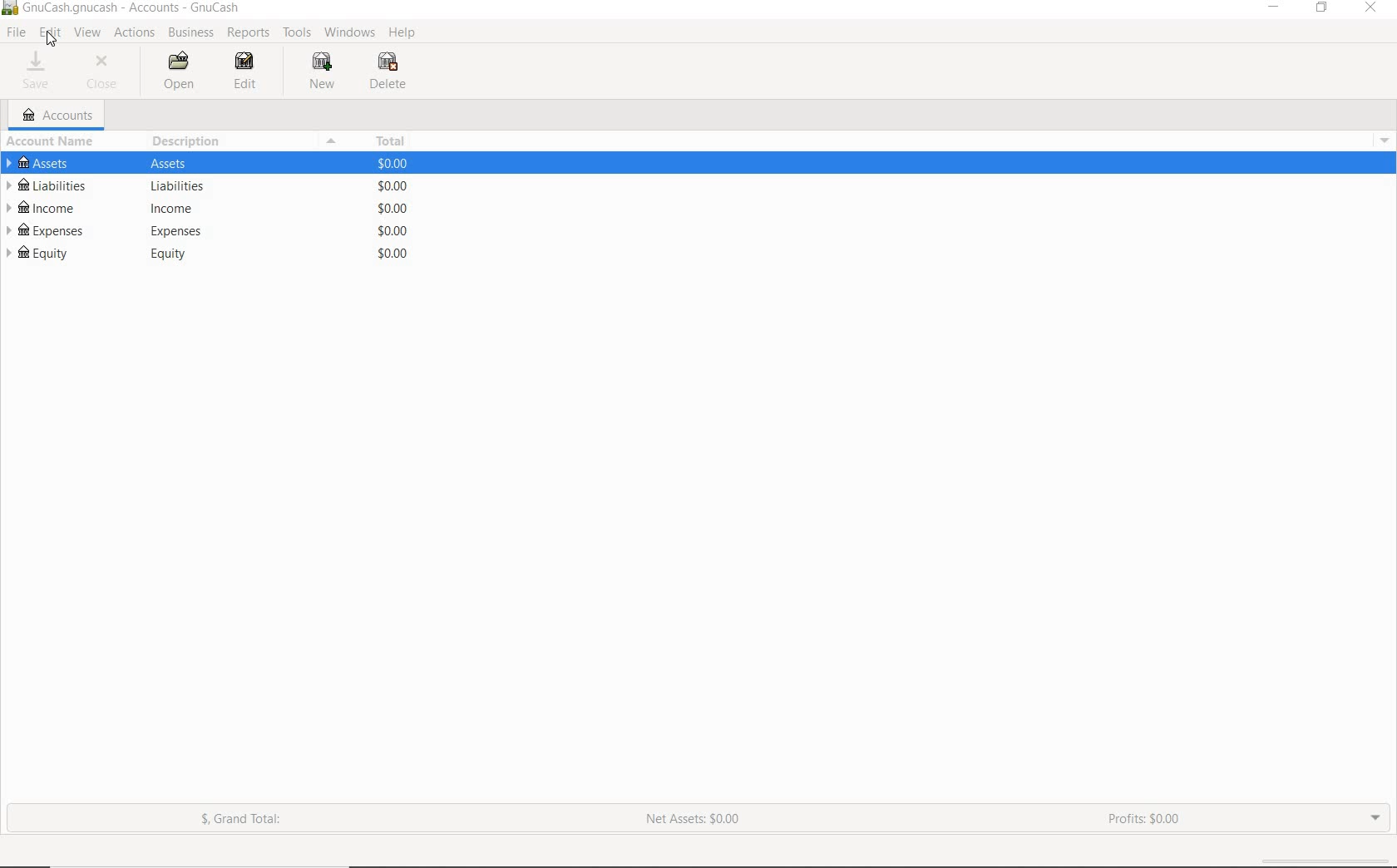 This screenshot has width=1397, height=868. I want to click on NEW, so click(325, 71).